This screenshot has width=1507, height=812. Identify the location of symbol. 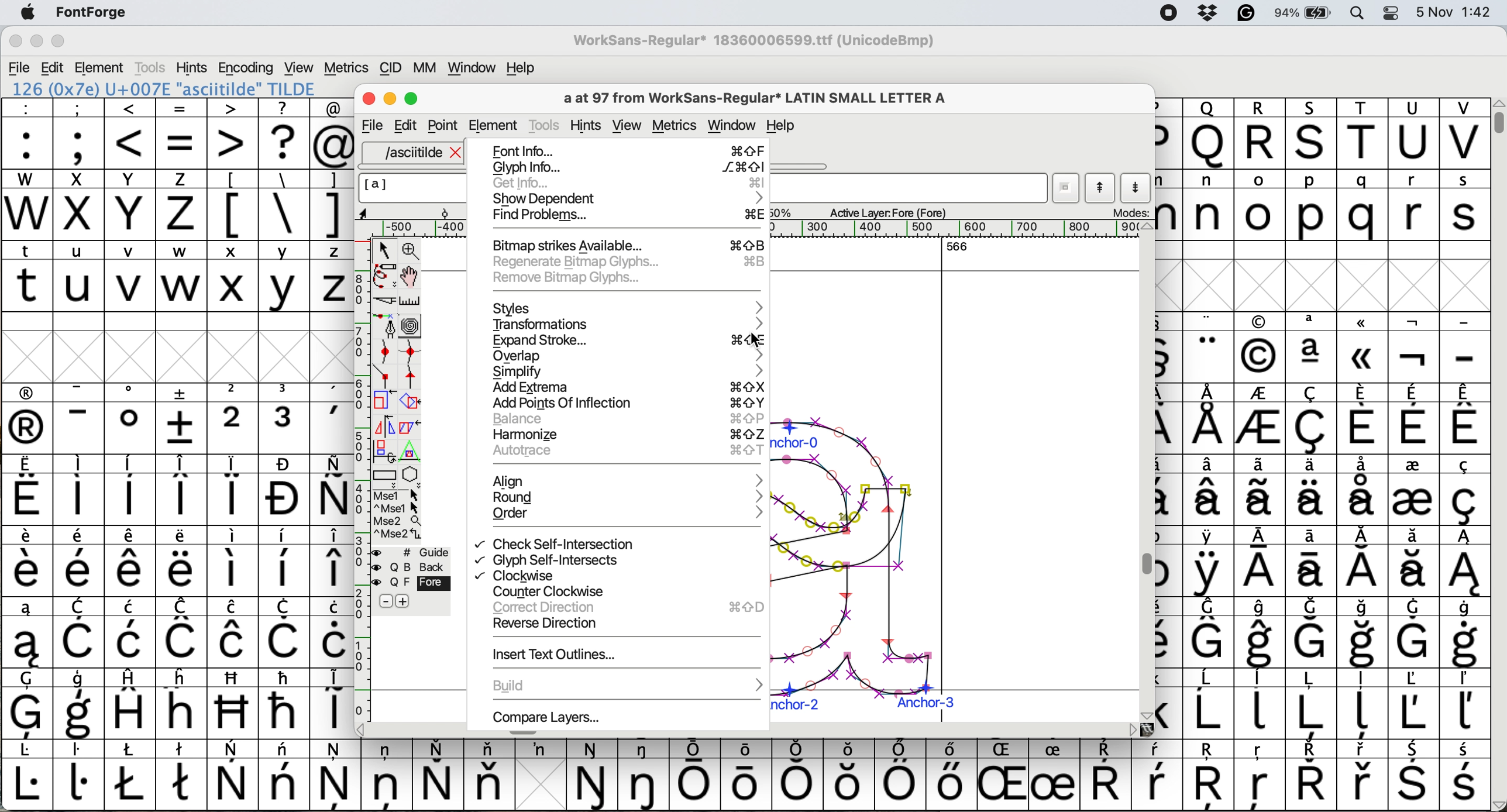
(82, 634).